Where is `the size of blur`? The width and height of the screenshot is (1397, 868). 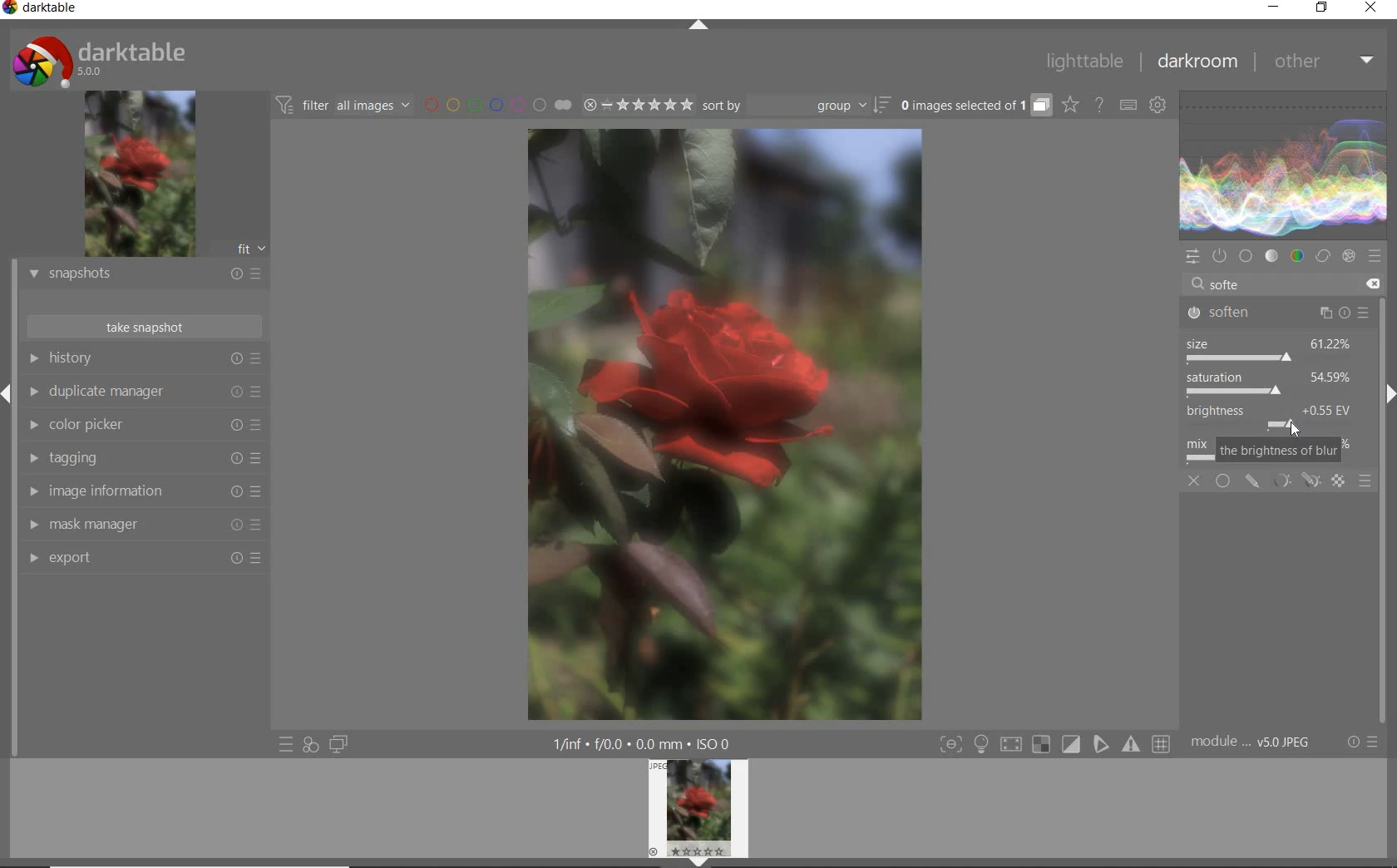 the size of blur is located at coordinates (1278, 384).